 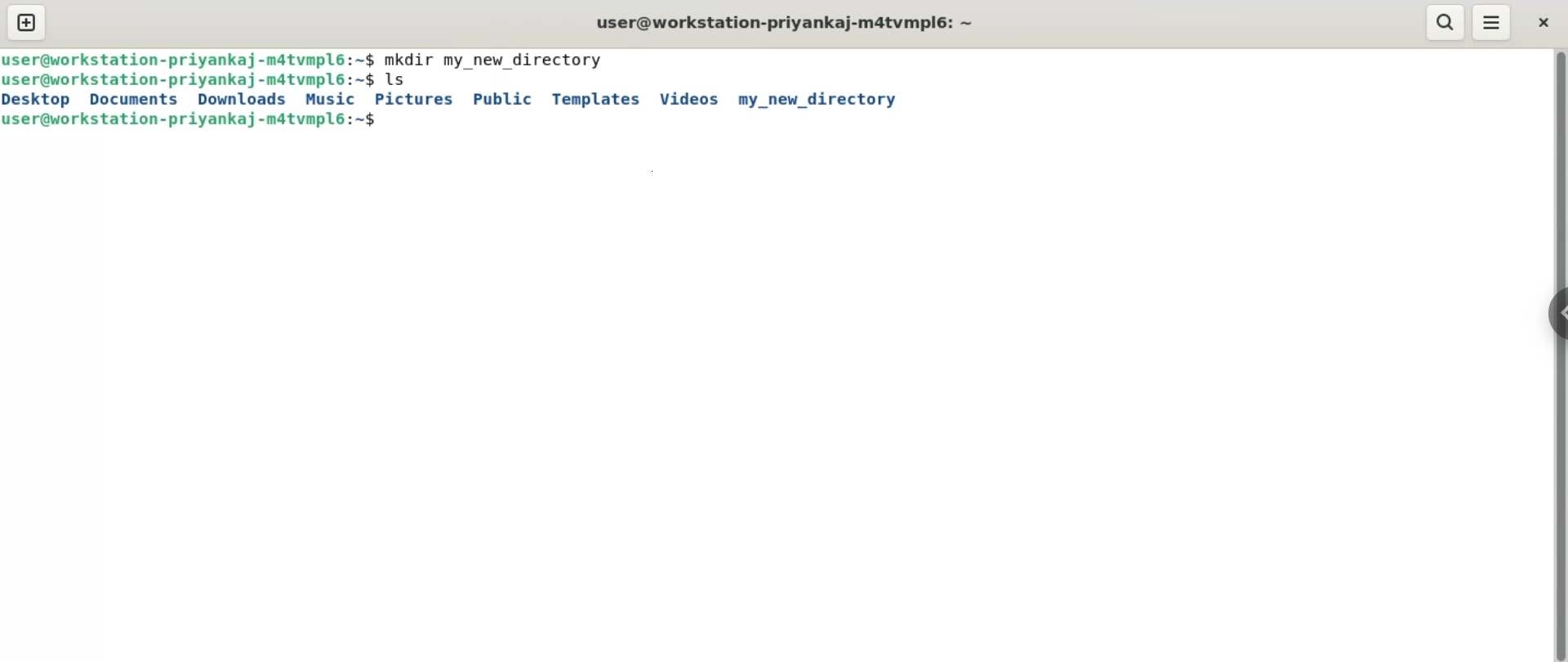 What do you see at coordinates (601, 98) in the screenshot?
I see `templates` at bounding box center [601, 98].